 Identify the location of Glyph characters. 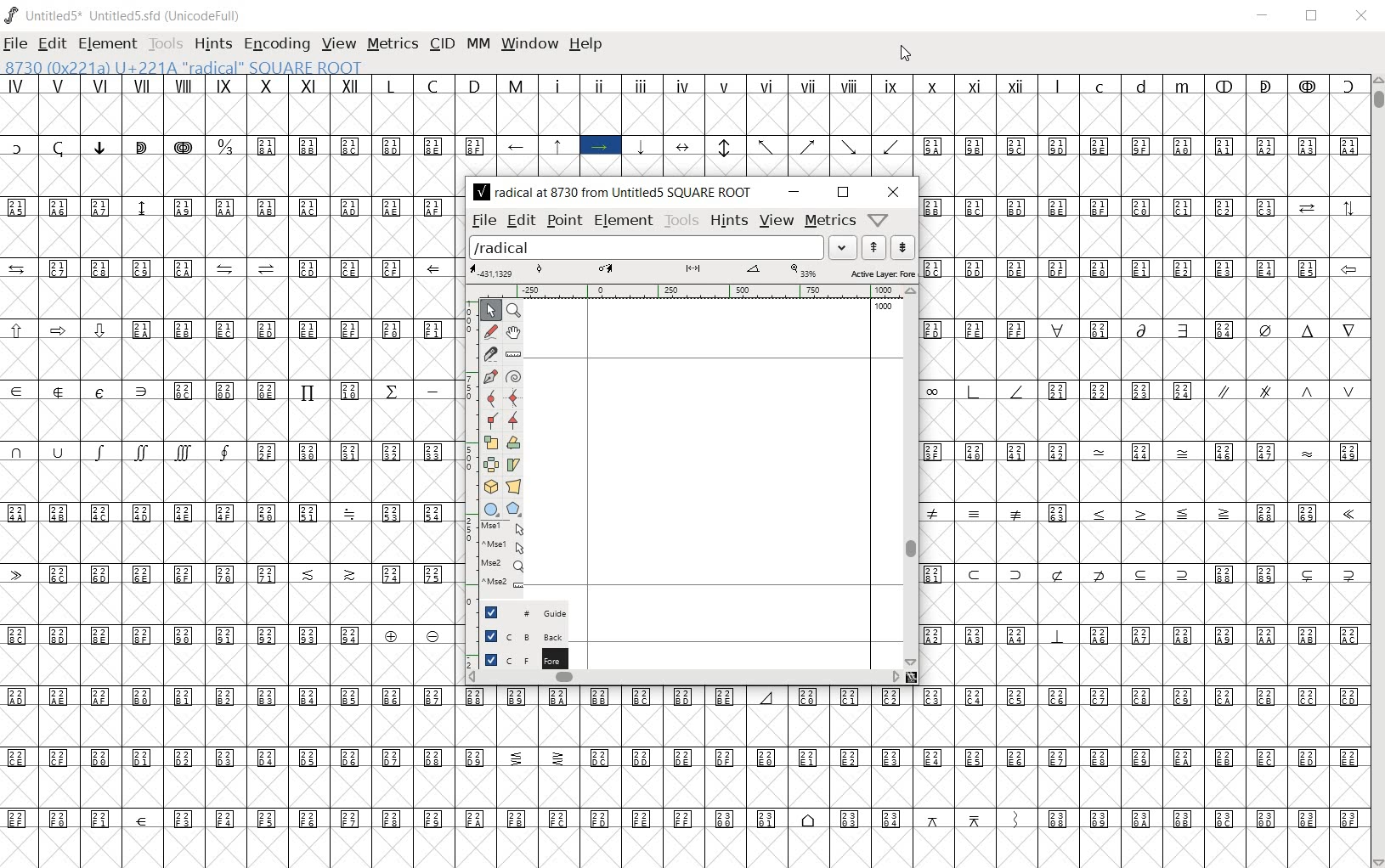
(913, 125).